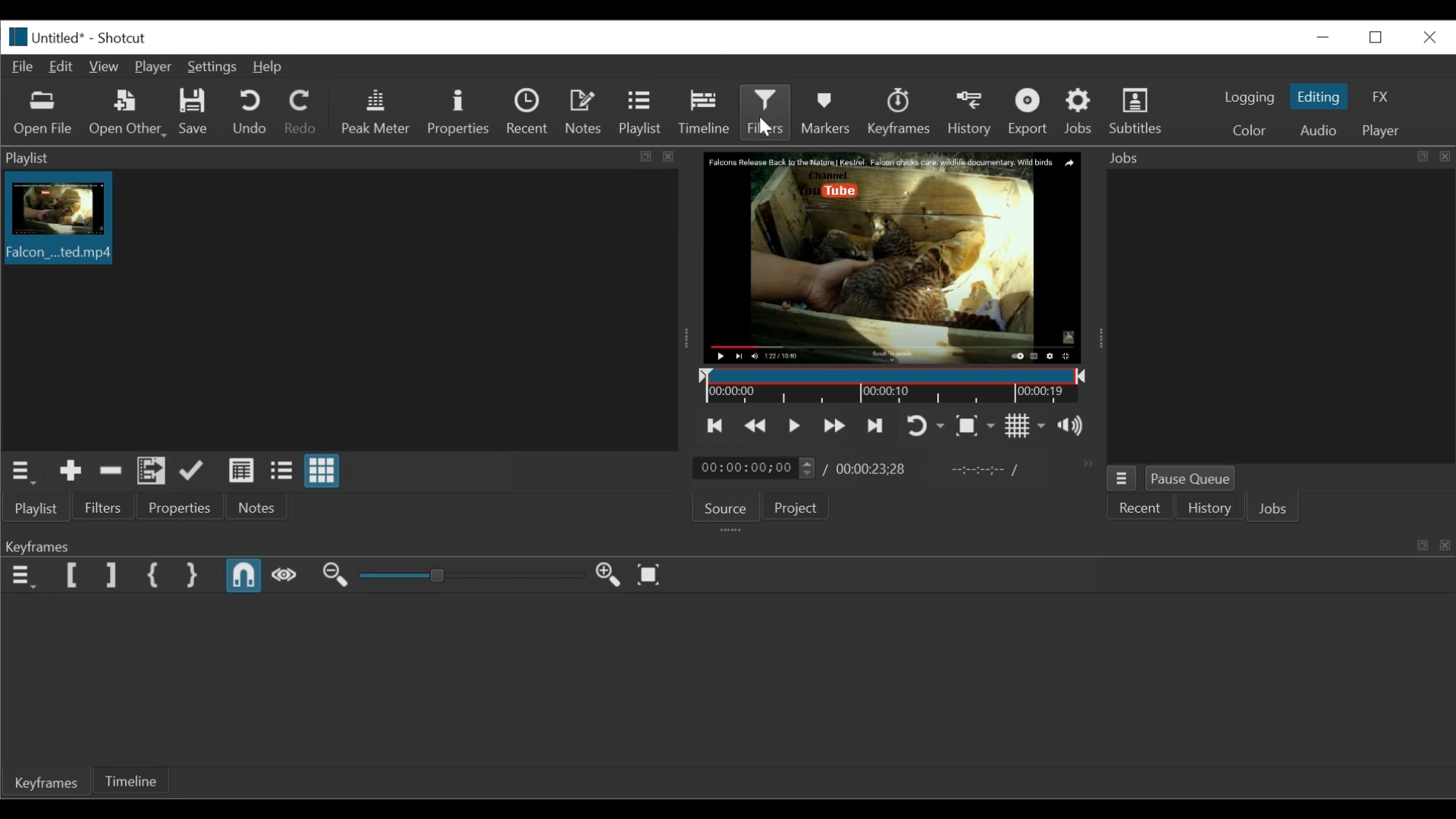 The width and height of the screenshot is (1456, 819). What do you see at coordinates (129, 113) in the screenshot?
I see `Open Other` at bounding box center [129, 113].